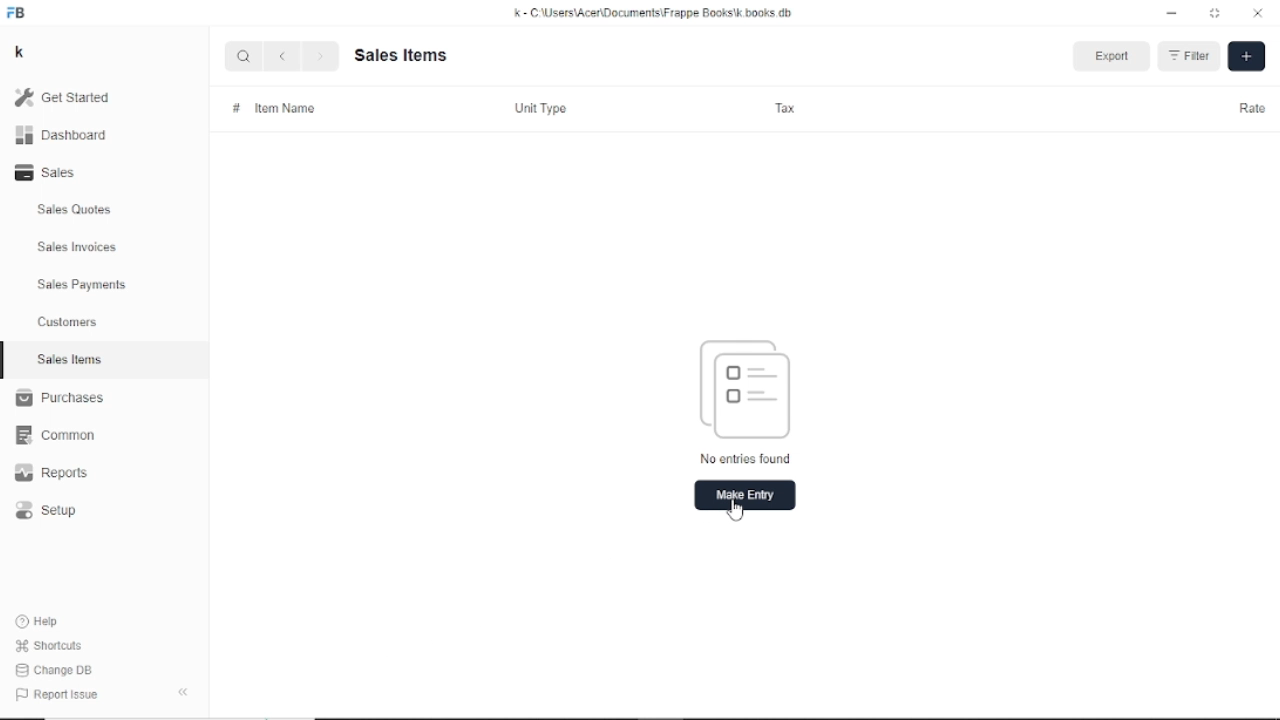  What do you see at coordinates (51, 172) in the screenshot?
I see `Sales` at bounding box center [51, 172].